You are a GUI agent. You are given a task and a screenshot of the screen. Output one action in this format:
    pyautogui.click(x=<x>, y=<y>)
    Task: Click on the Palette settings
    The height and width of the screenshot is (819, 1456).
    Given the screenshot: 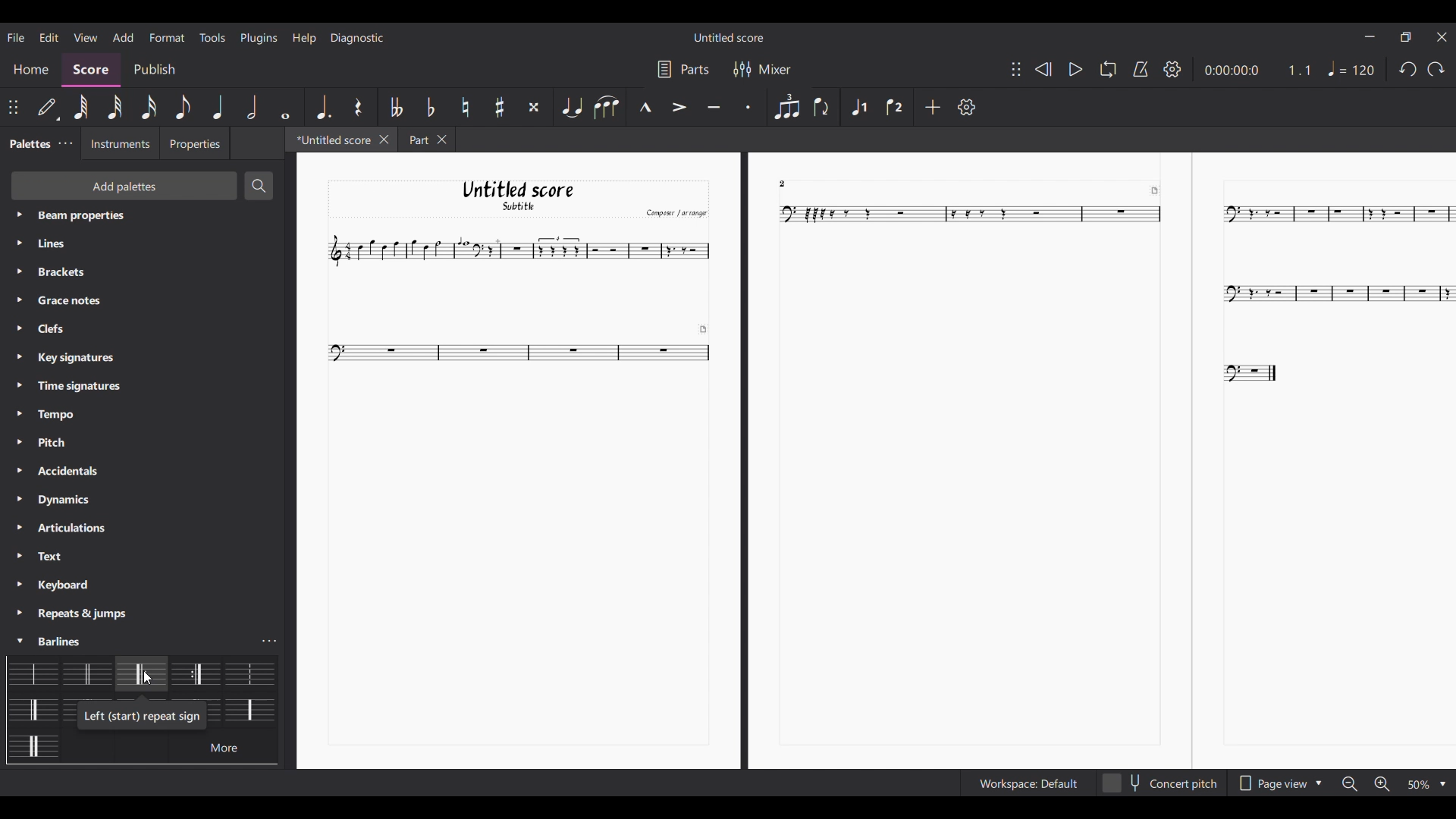 What is the action you would take?
    pyautogui.click(x=84, y=243)
    